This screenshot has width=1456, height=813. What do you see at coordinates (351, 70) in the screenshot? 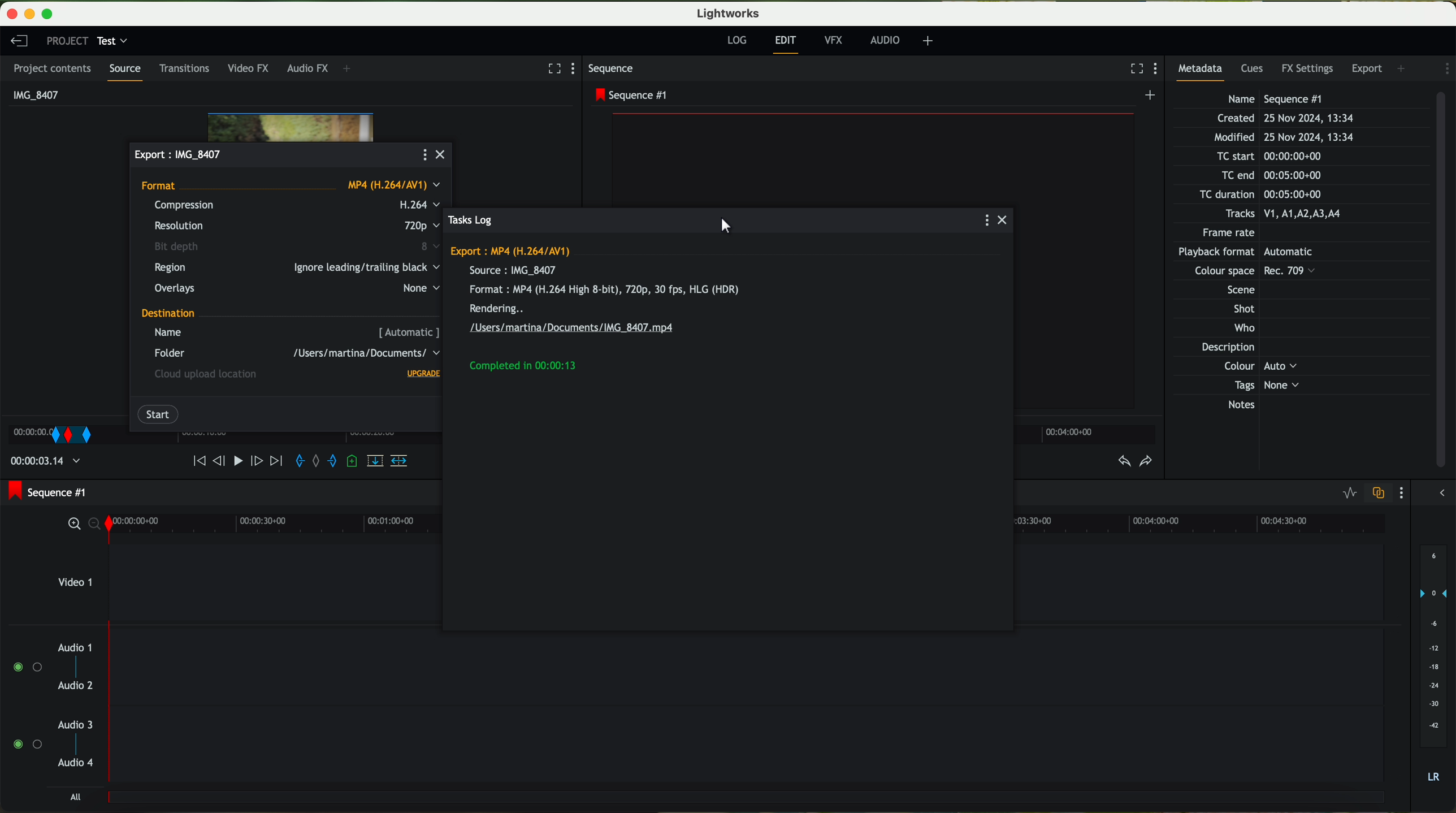
I see `+` at bounding box center [351, 70].